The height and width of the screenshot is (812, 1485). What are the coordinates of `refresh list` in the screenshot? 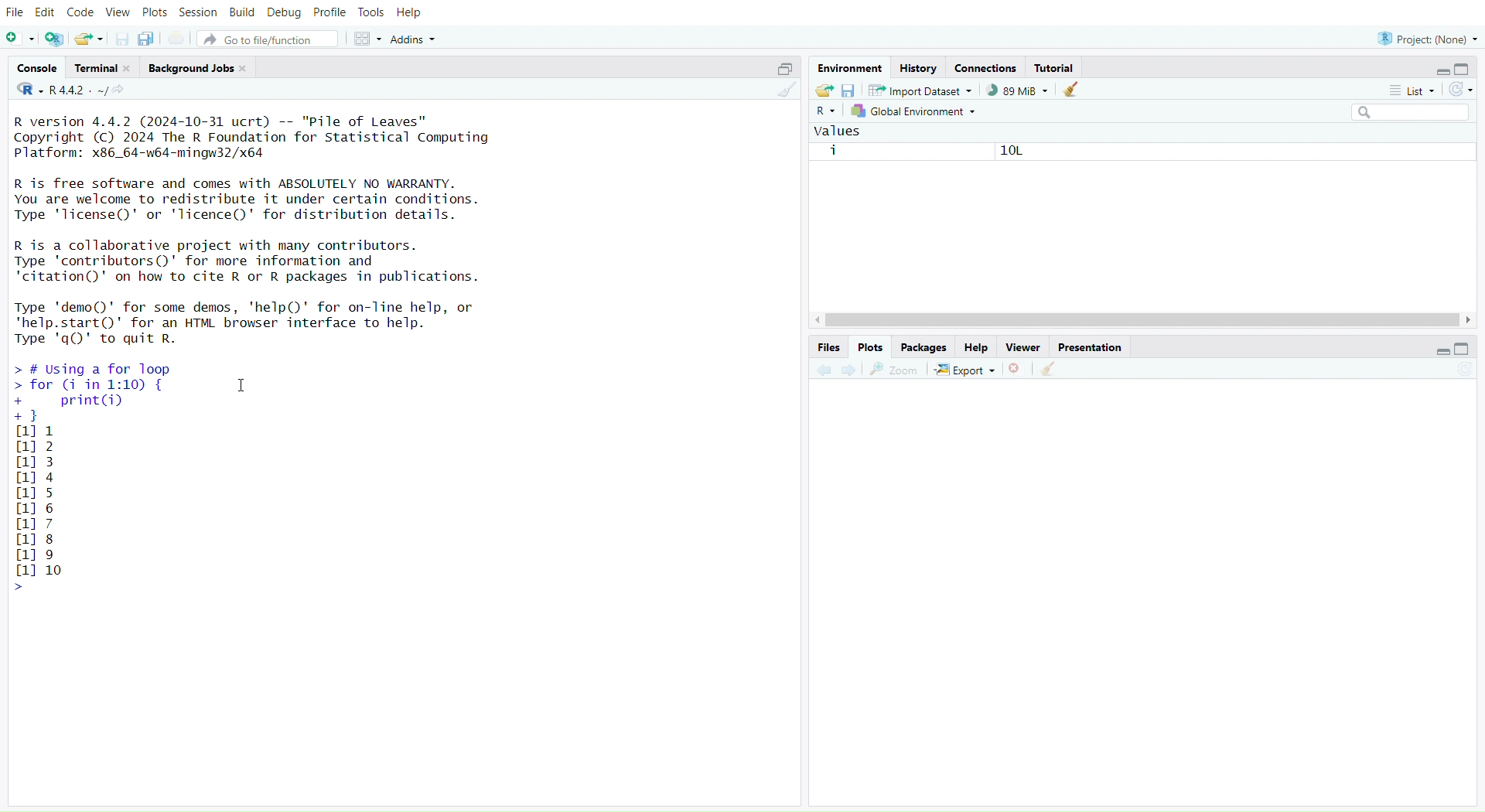 It's located at (1461, 90).